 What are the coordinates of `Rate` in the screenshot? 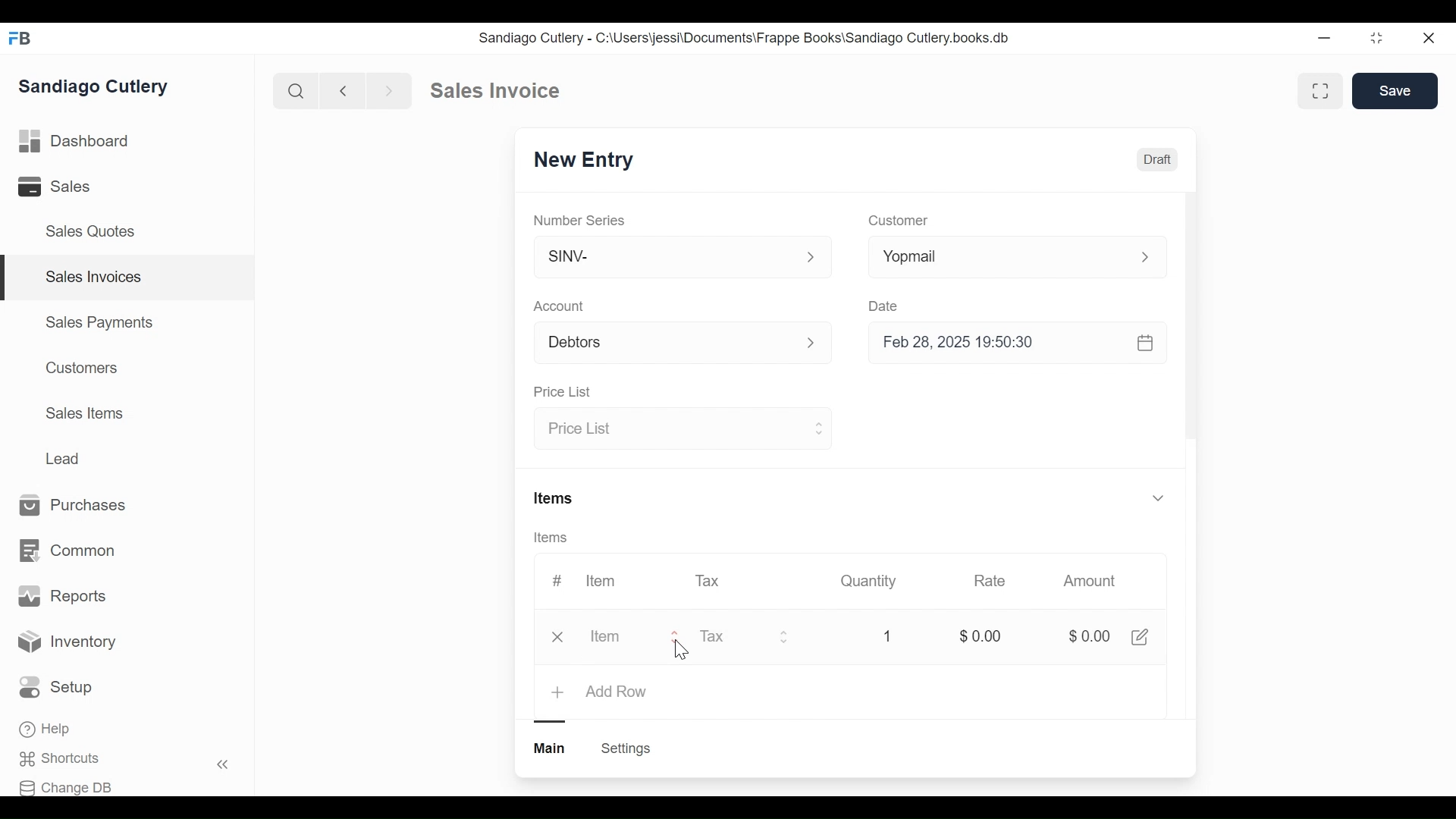 It's located at (990, 581).